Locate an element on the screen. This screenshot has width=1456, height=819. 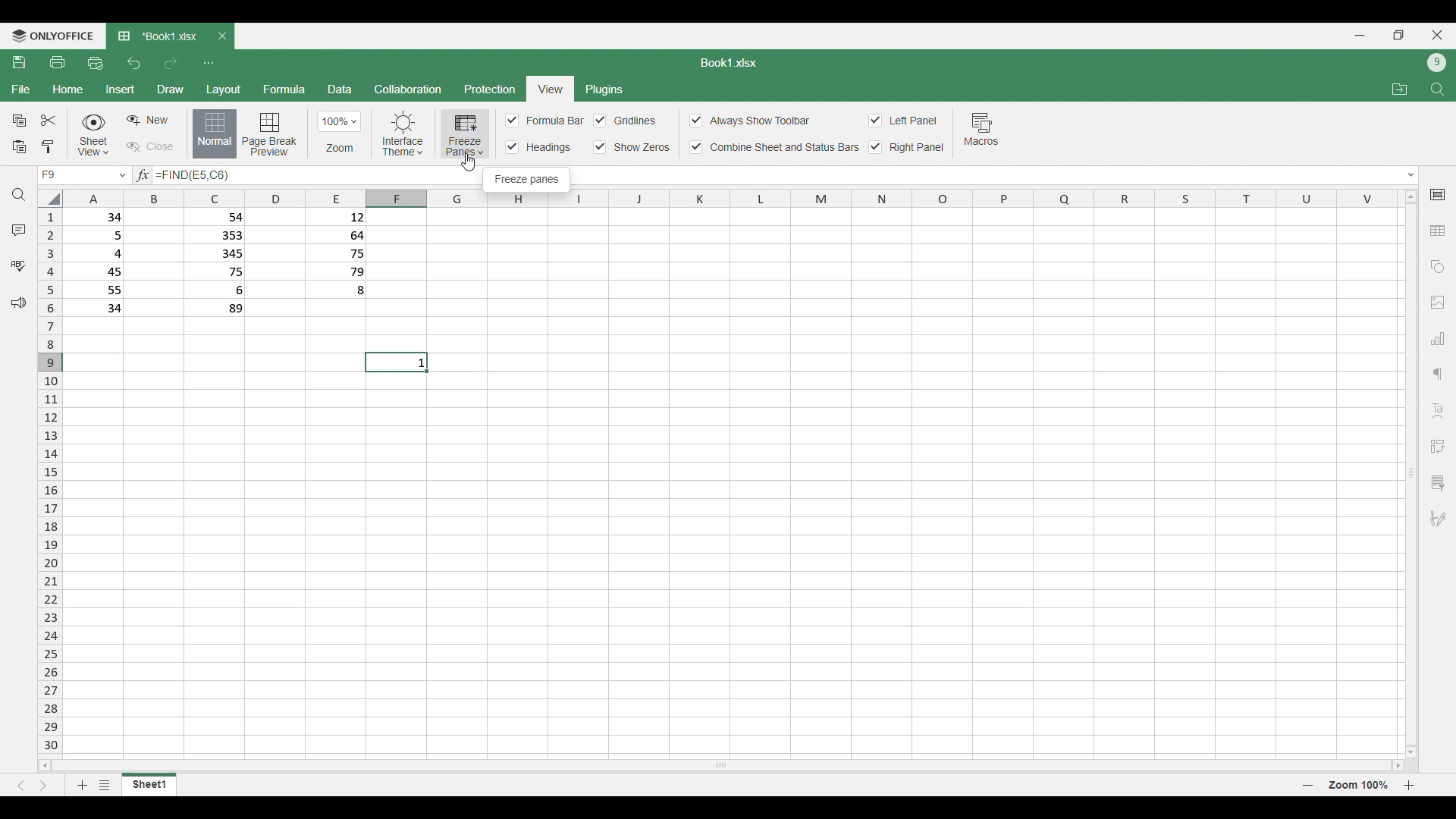
Zoom options is located at coordinates (339, 132).